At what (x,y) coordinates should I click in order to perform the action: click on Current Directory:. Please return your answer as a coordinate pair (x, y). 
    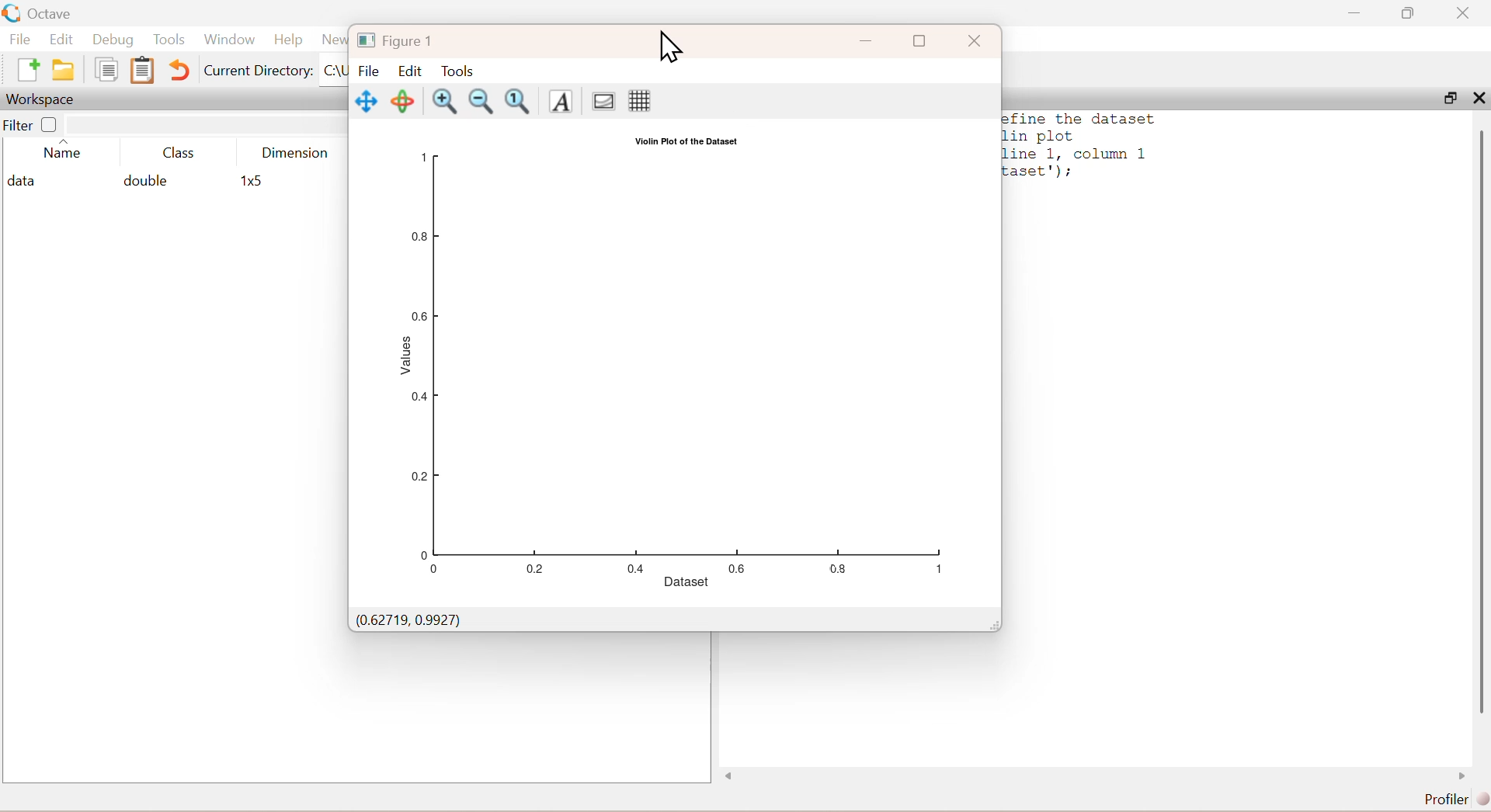
    Looking at the image, I should click on (259, 71).